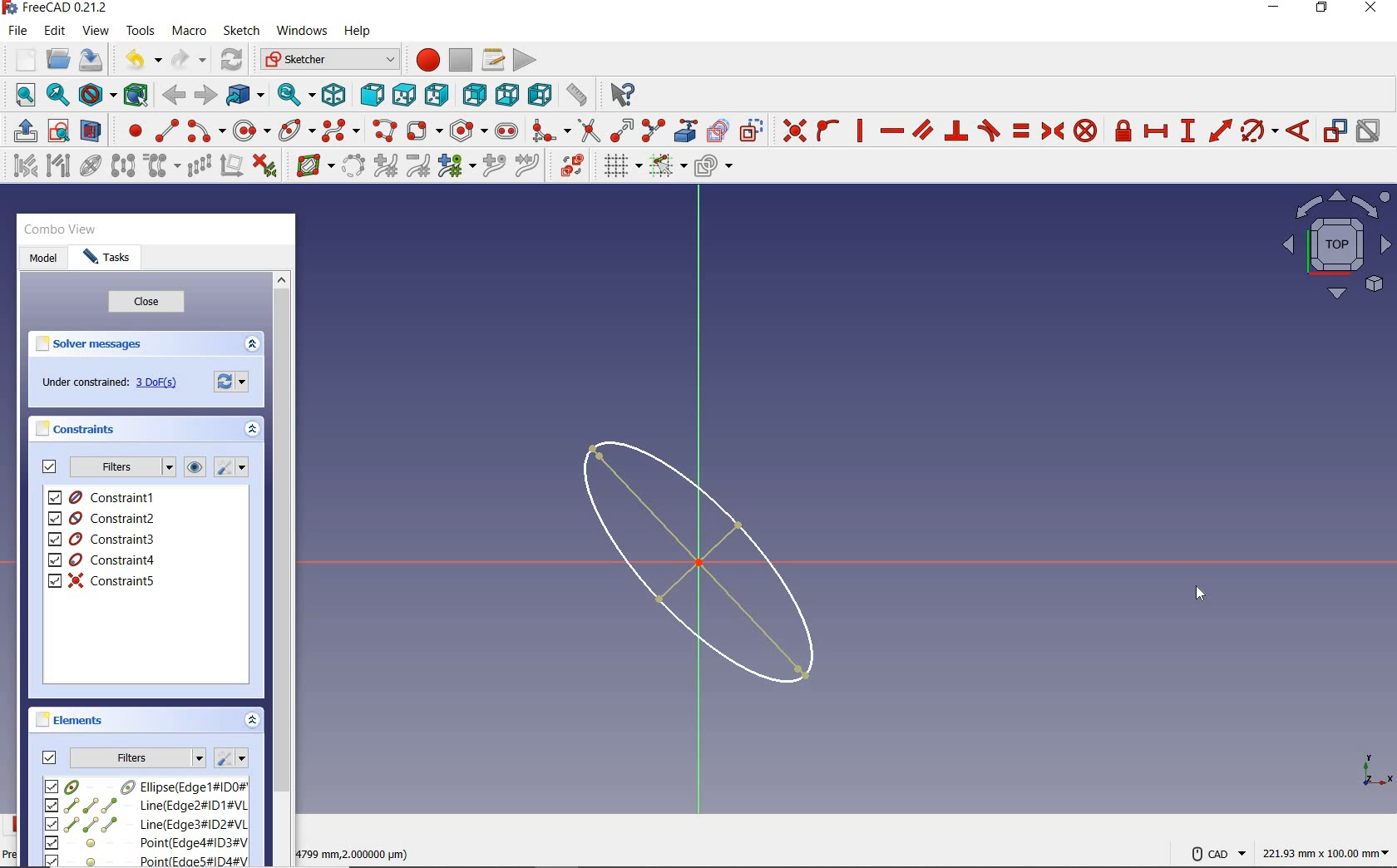 Image resolution: width=1397 pixels, height=868 pixels. I want to click on toggle construction geometry, so click(752, 130).